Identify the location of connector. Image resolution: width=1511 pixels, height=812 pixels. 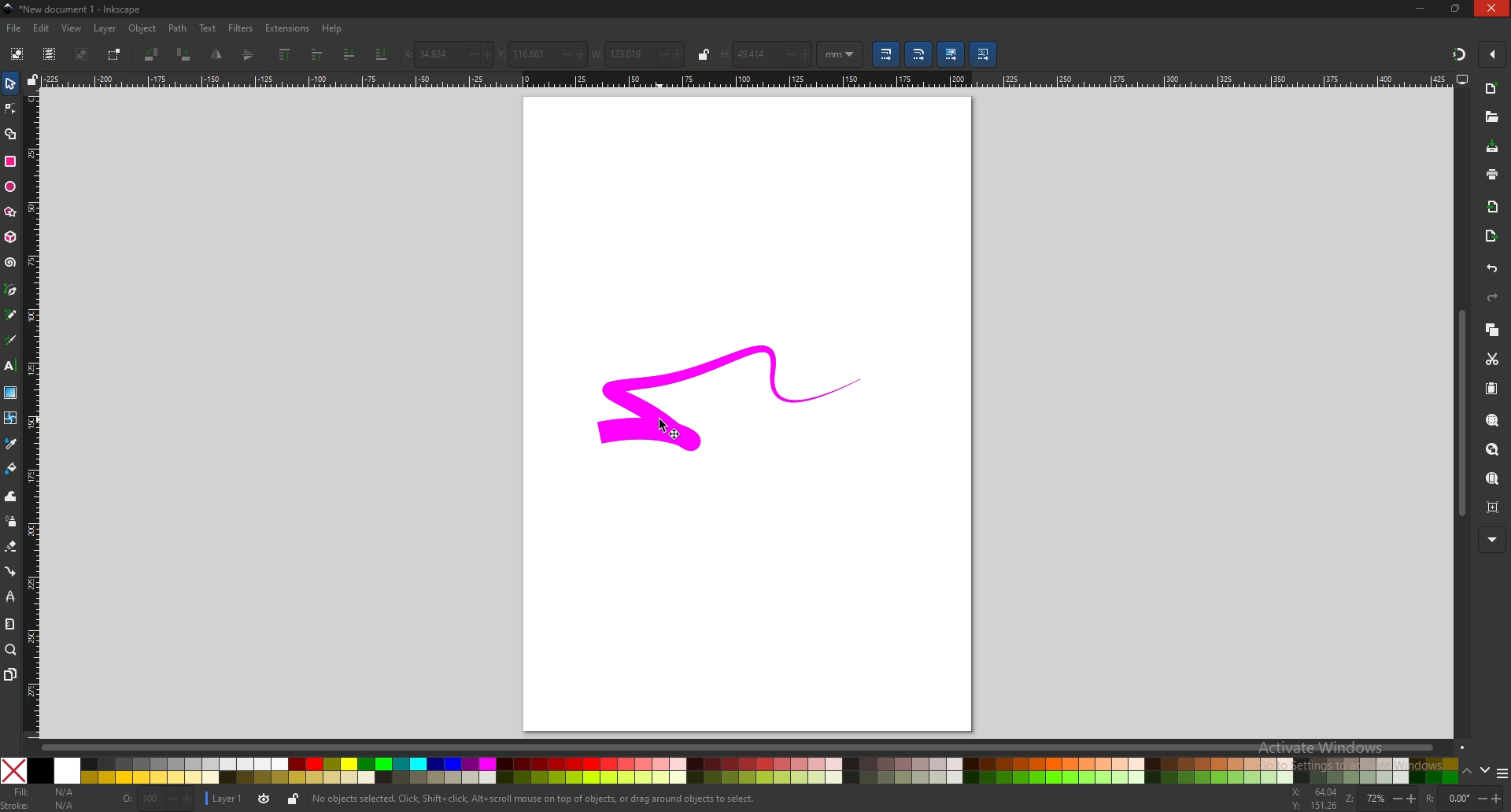
(11, 572).